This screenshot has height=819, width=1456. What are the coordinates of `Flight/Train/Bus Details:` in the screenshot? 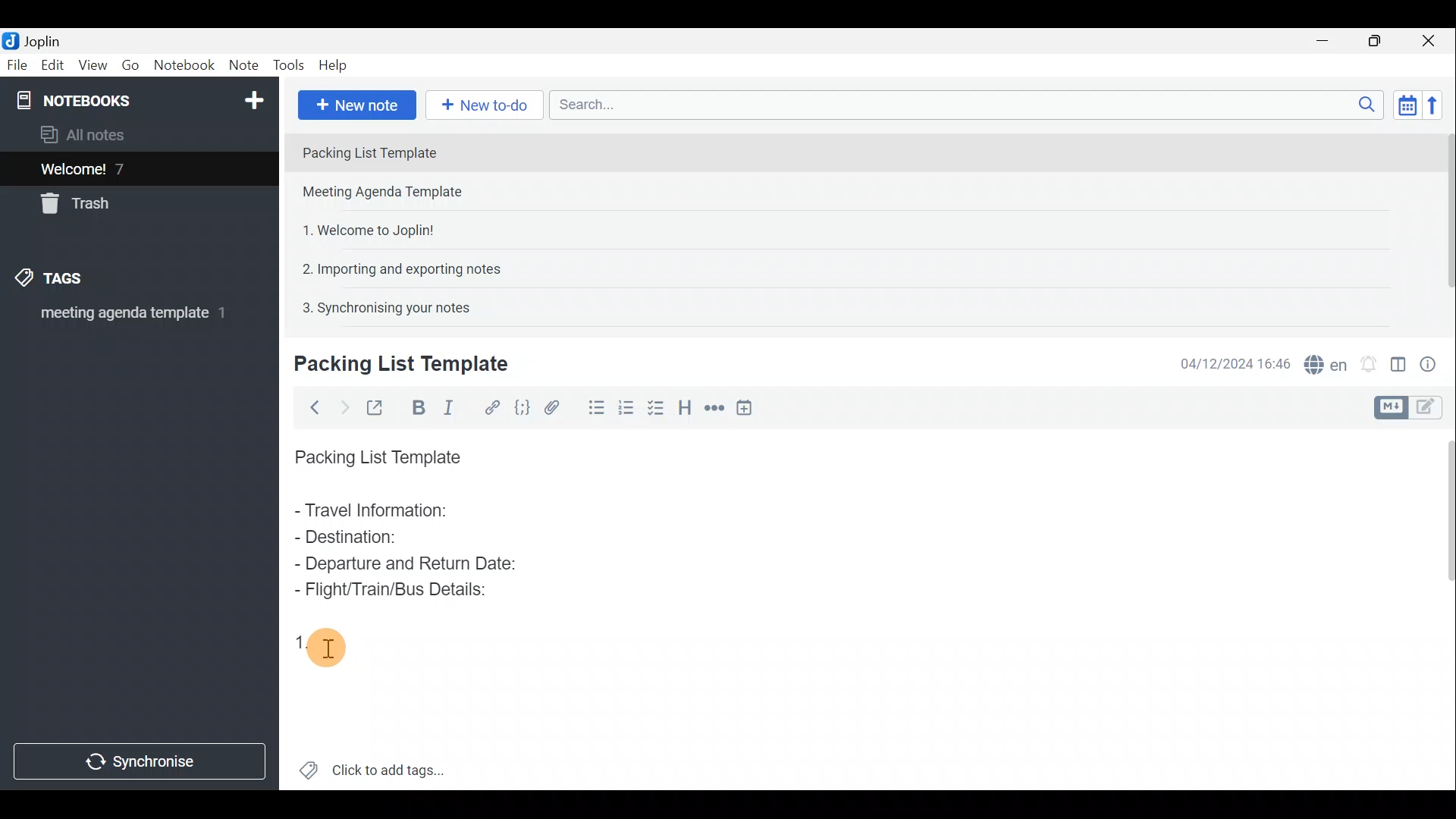 It's located at (395, 591).